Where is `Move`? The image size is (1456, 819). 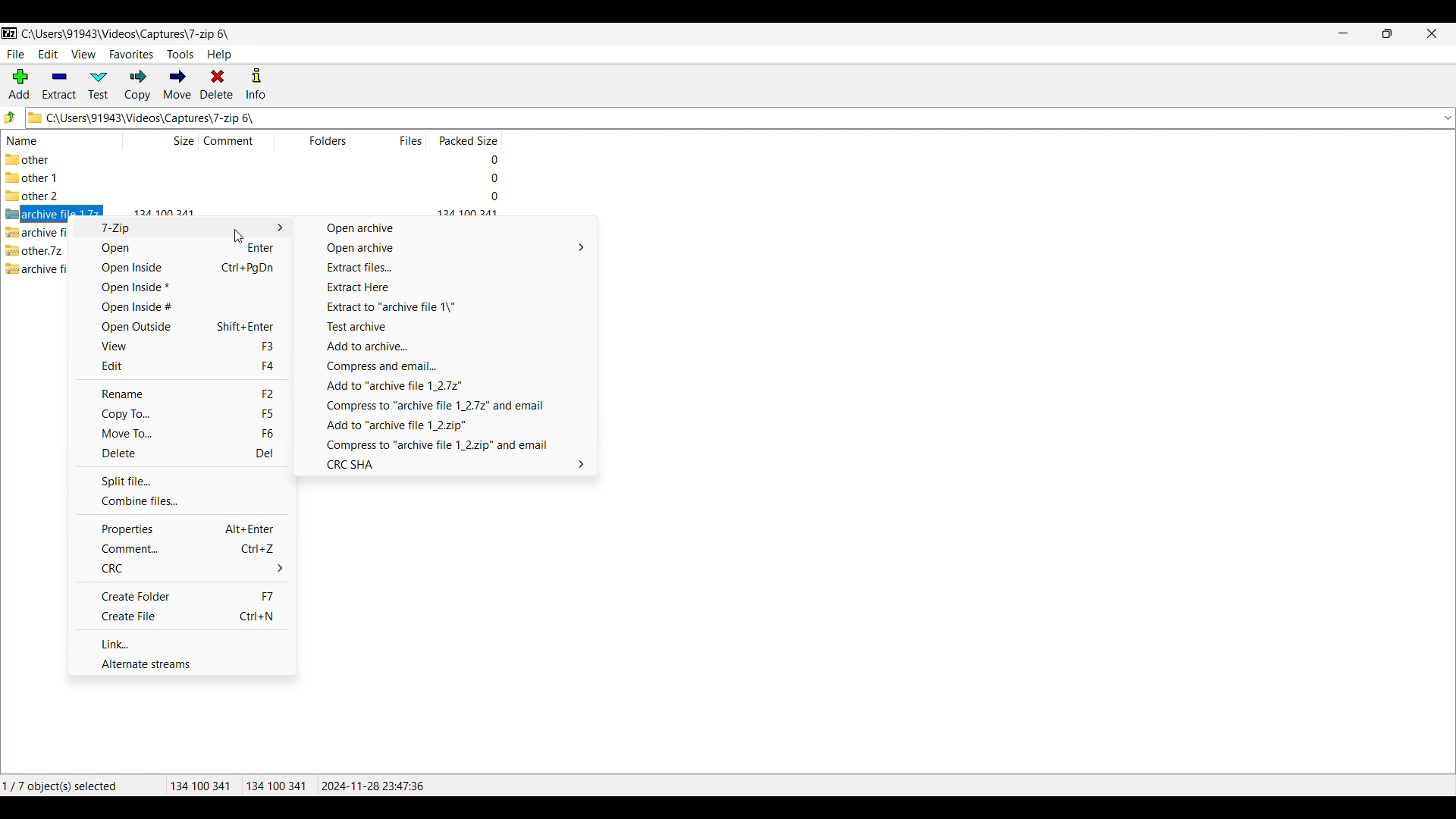
Move is located at coordinates (177, 84).